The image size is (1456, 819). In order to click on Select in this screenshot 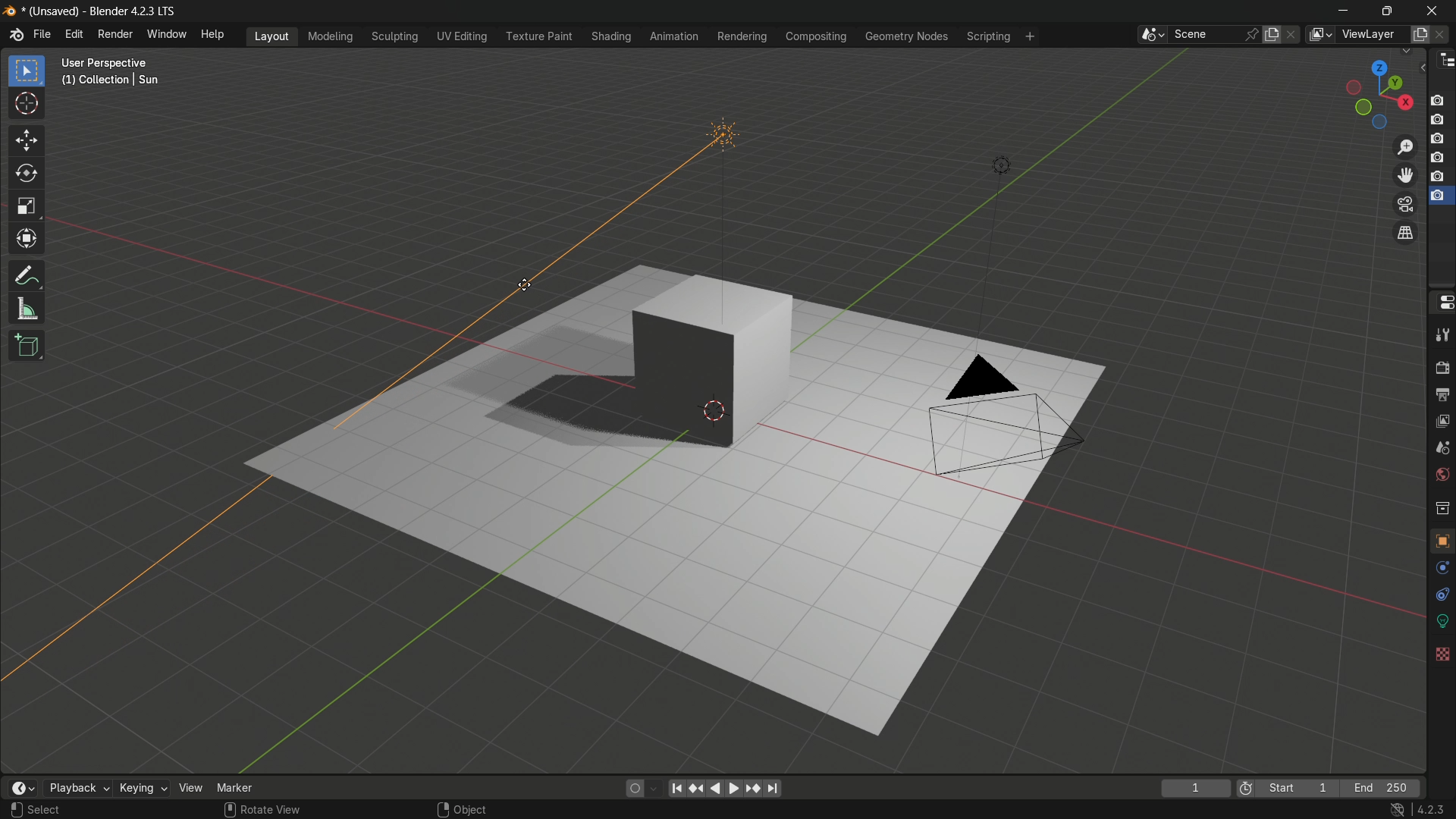, I will do `click(45, 810)`.